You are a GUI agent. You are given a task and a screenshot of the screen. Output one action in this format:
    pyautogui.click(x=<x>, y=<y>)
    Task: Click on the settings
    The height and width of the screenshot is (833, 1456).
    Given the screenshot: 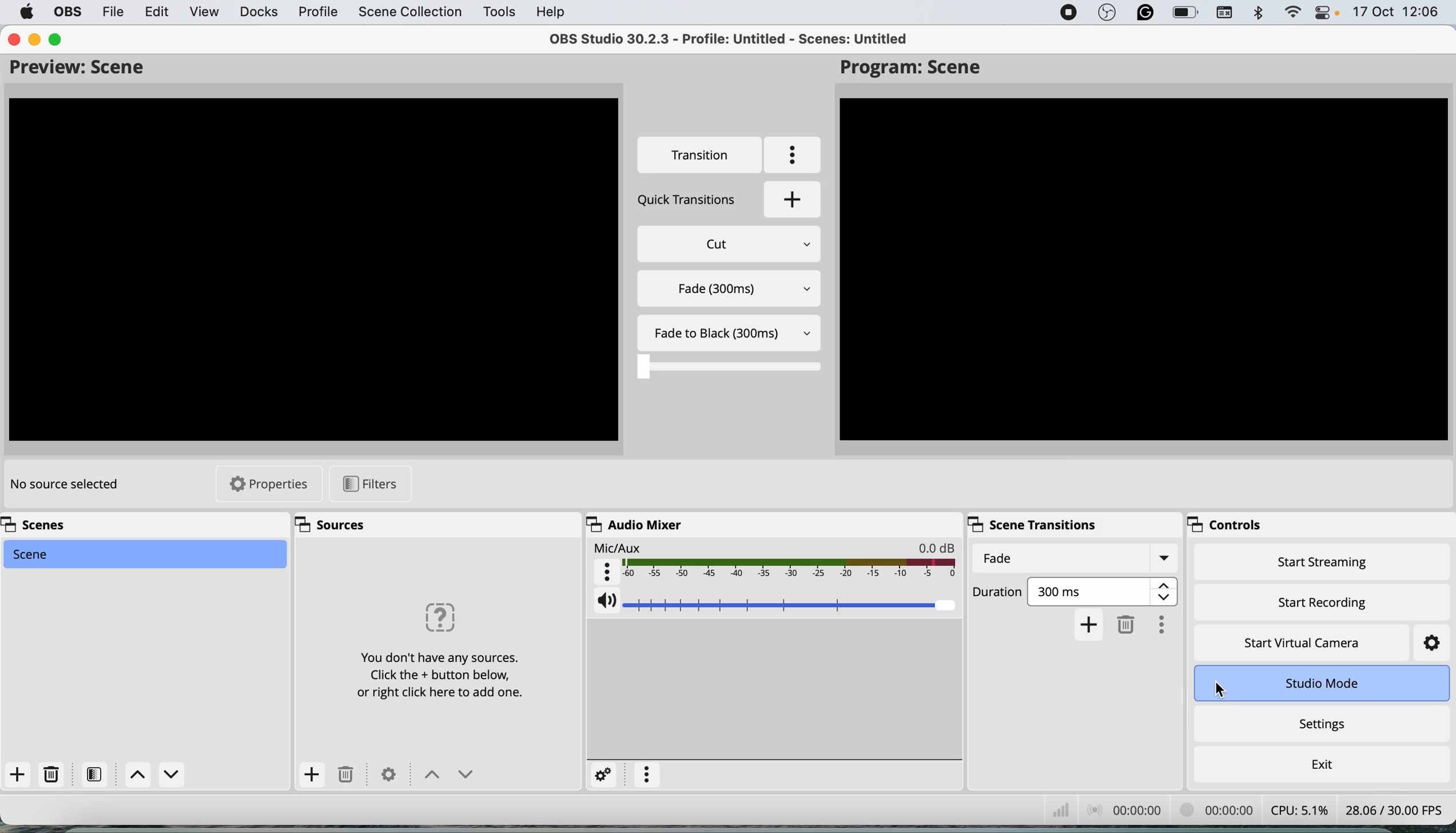 What is the action you would take?
    pyautogui.click(x=391, y=775)
    